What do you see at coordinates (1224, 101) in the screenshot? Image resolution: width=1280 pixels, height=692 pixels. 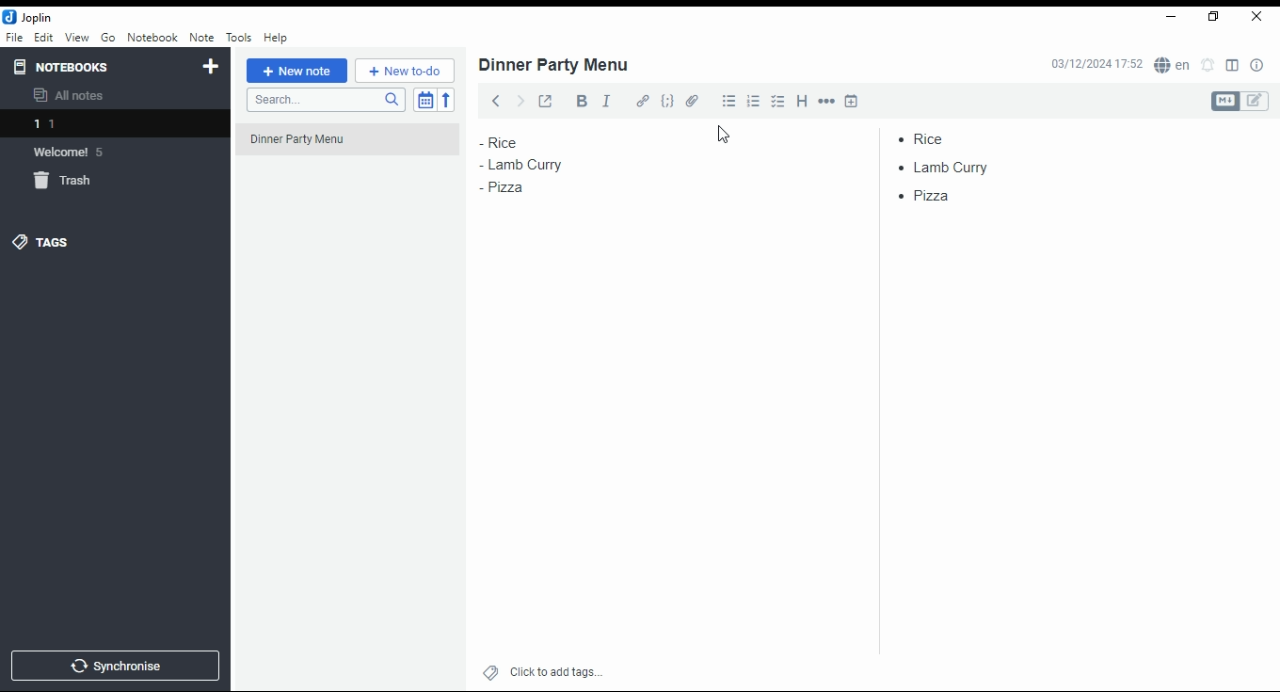 I see `Markdown` at bounding box center [1224, 101].